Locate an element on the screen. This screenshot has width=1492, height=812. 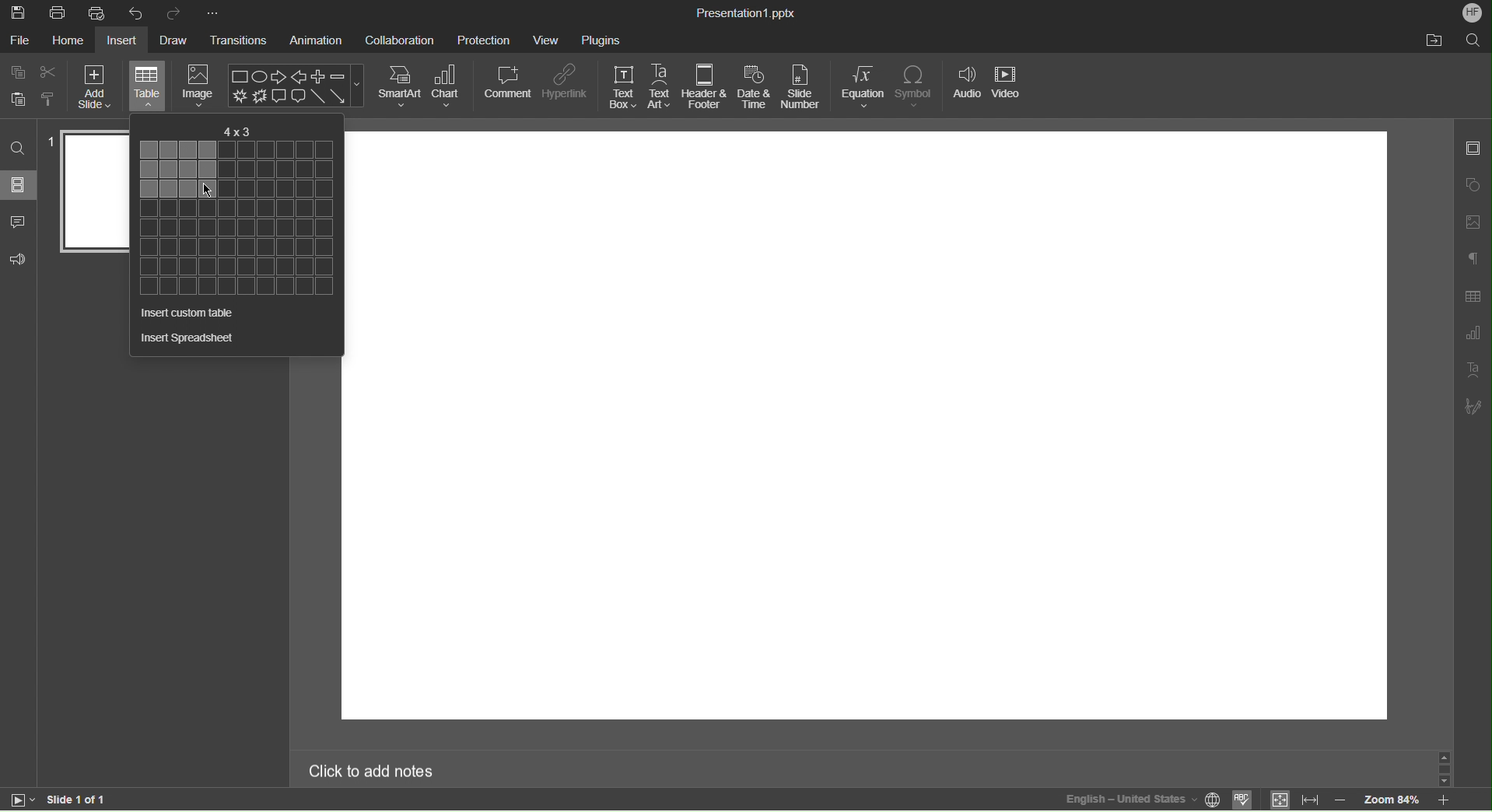
Open Folder is located at coordinates (1434, 40).